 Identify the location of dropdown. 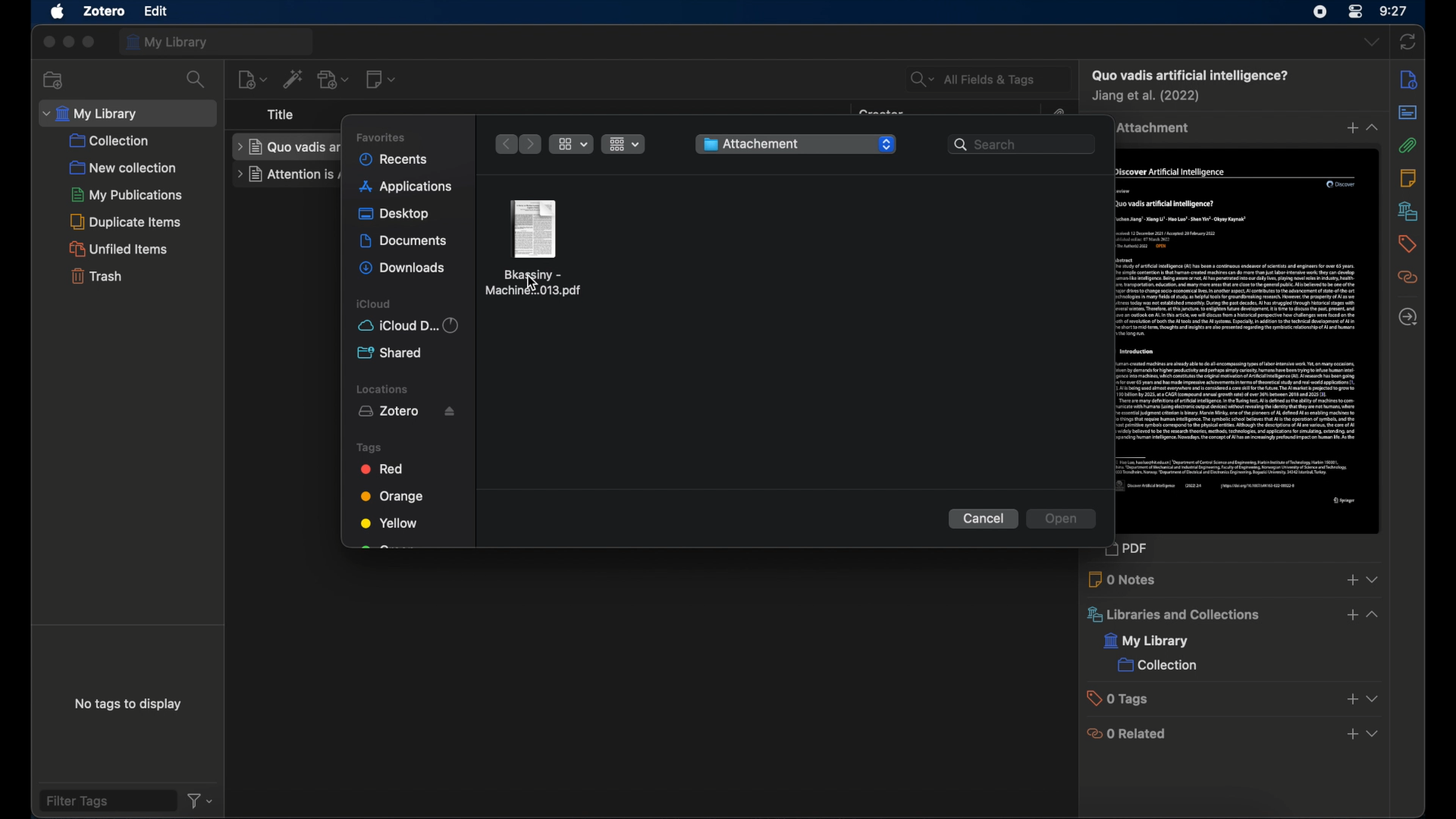
(886, 145).